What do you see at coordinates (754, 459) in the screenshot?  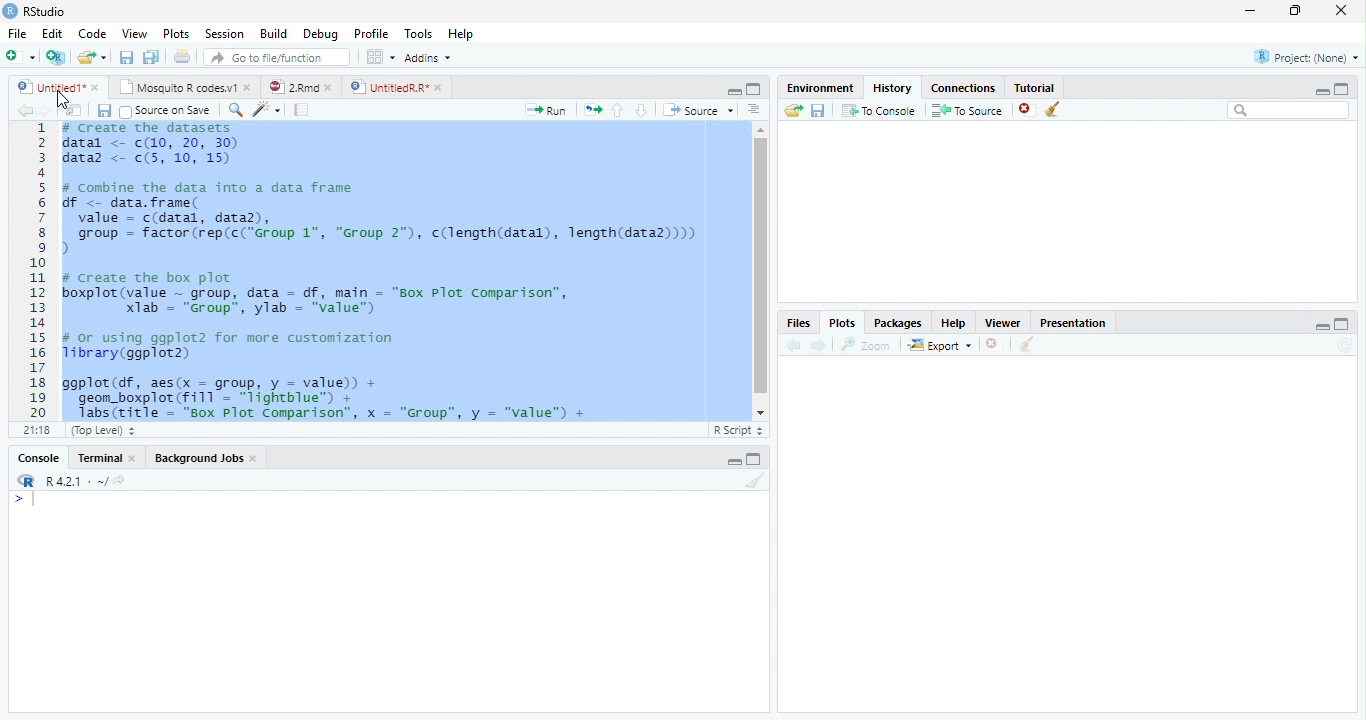 I see `Maximize` at bounding box center [754, 459].